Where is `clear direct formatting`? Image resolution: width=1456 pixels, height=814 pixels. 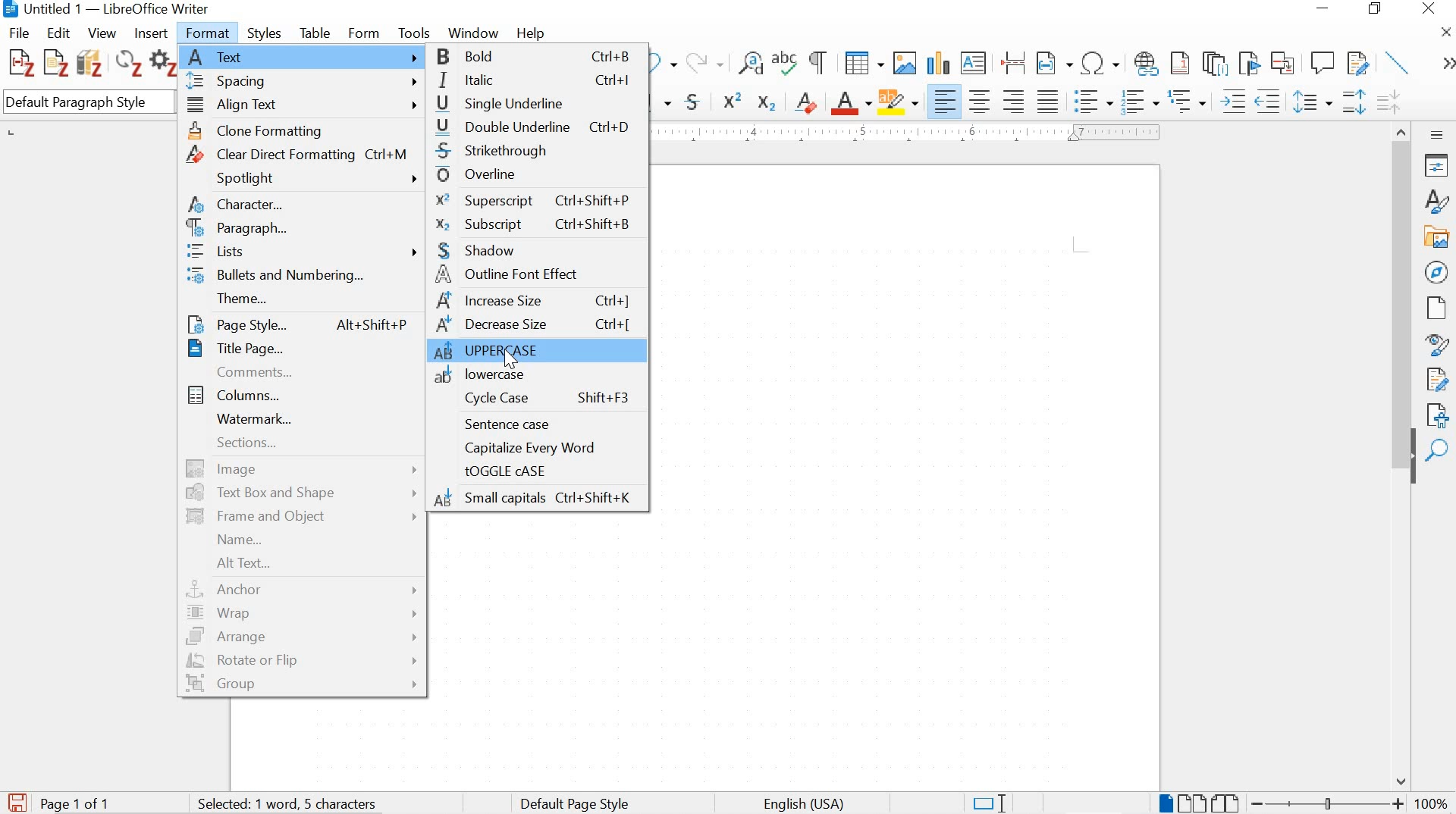
clear direct formatting is located at coordinates (807, 101).